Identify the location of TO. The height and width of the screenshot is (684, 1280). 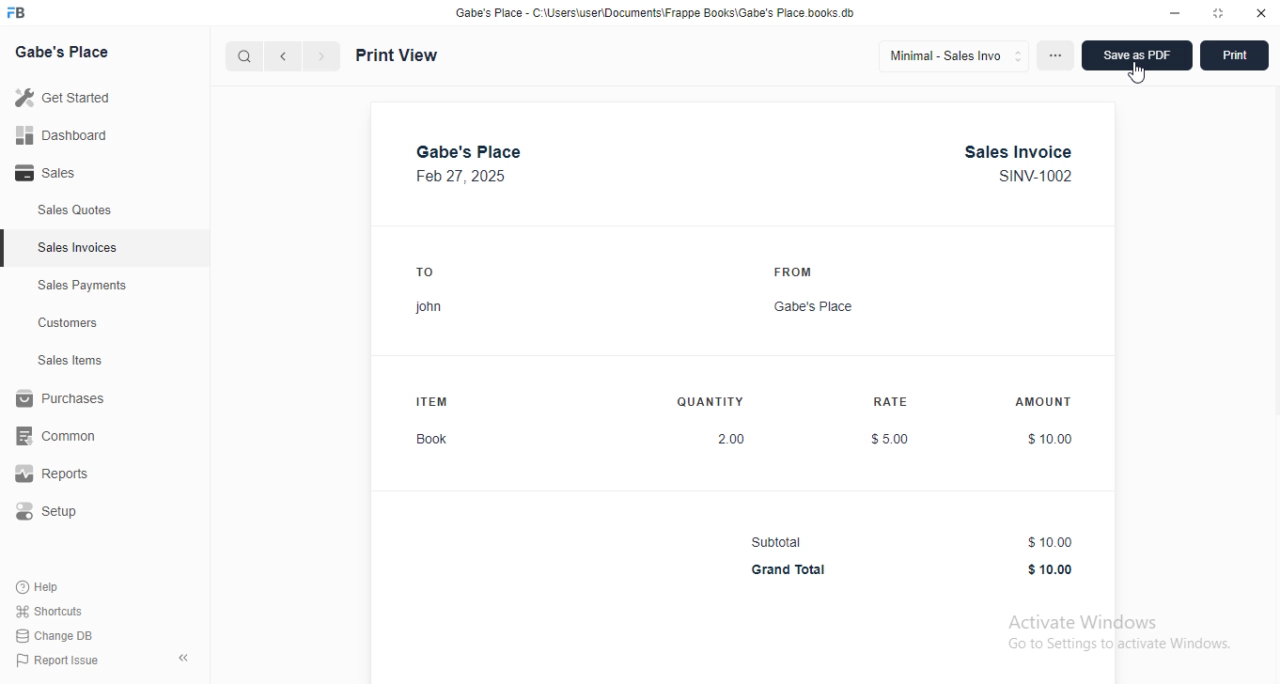
(426, 272).